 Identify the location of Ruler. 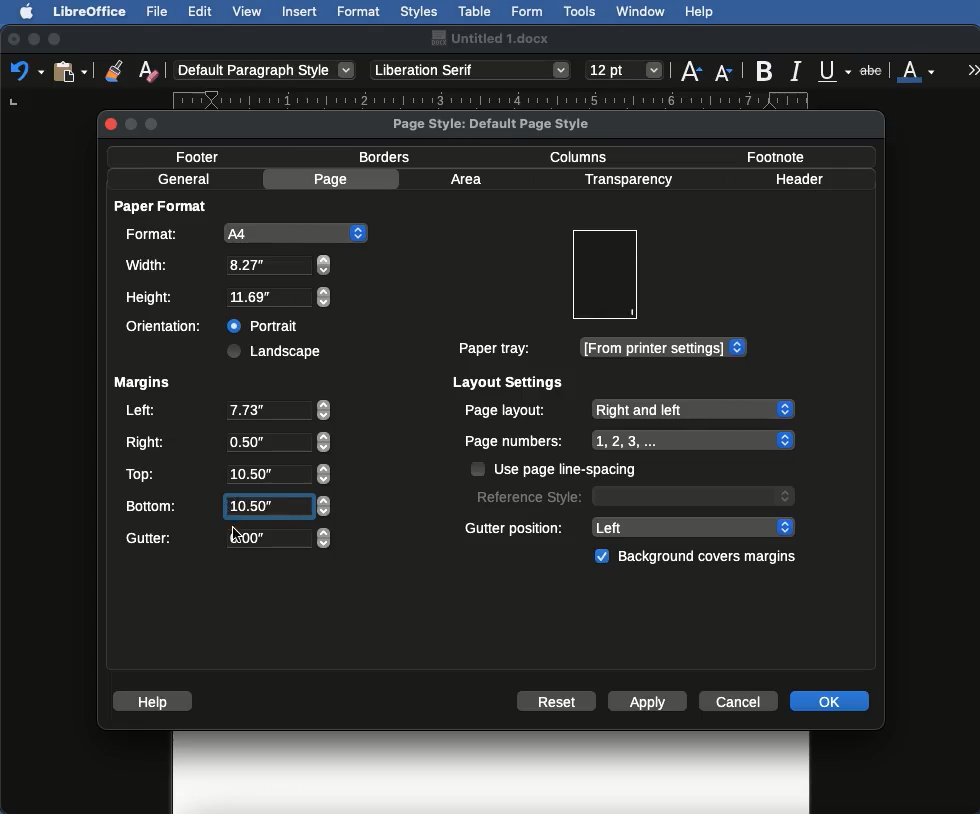
(505, 100).